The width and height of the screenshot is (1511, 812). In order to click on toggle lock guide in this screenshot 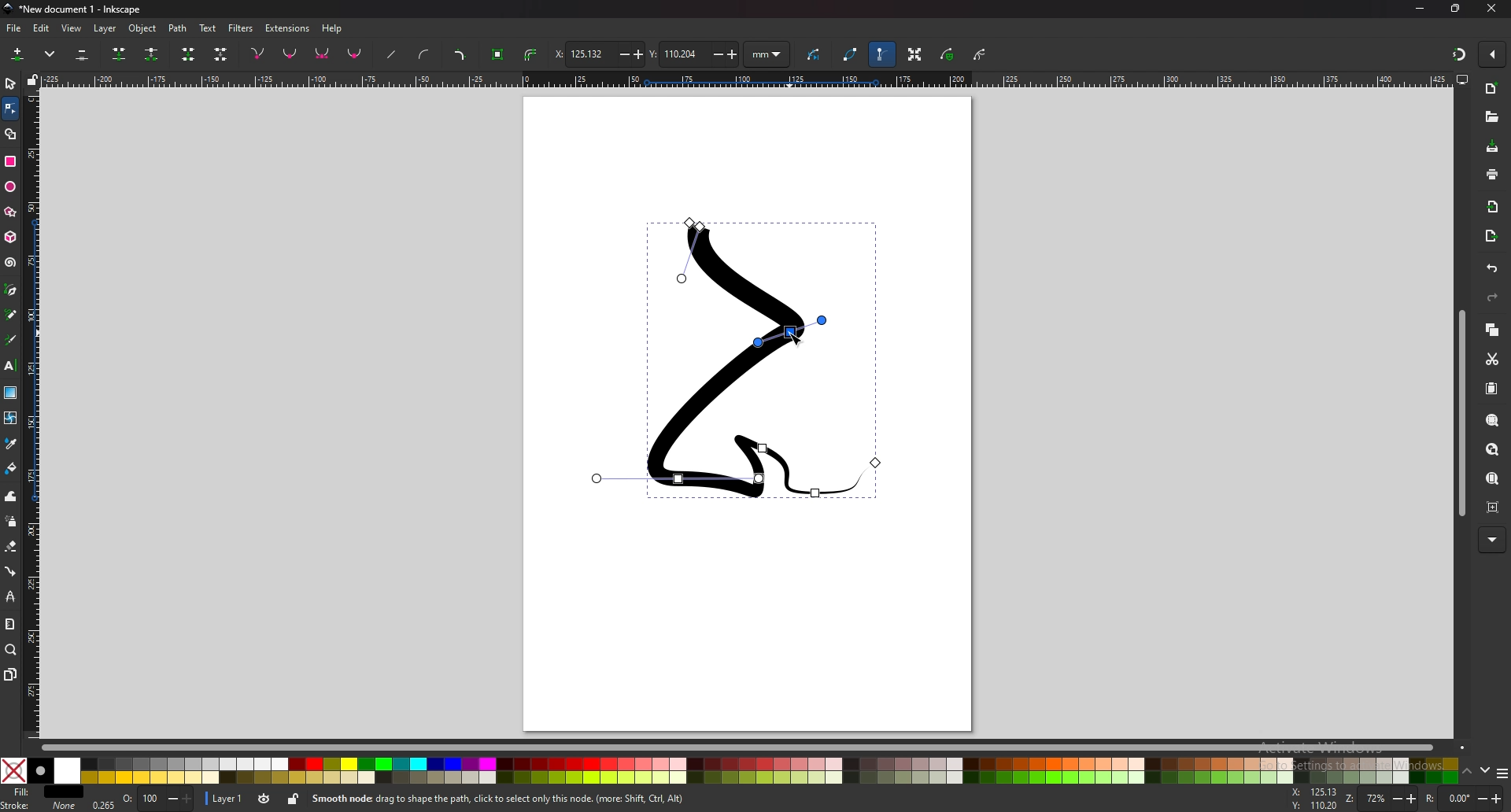, I will do `click(33, 79)`.